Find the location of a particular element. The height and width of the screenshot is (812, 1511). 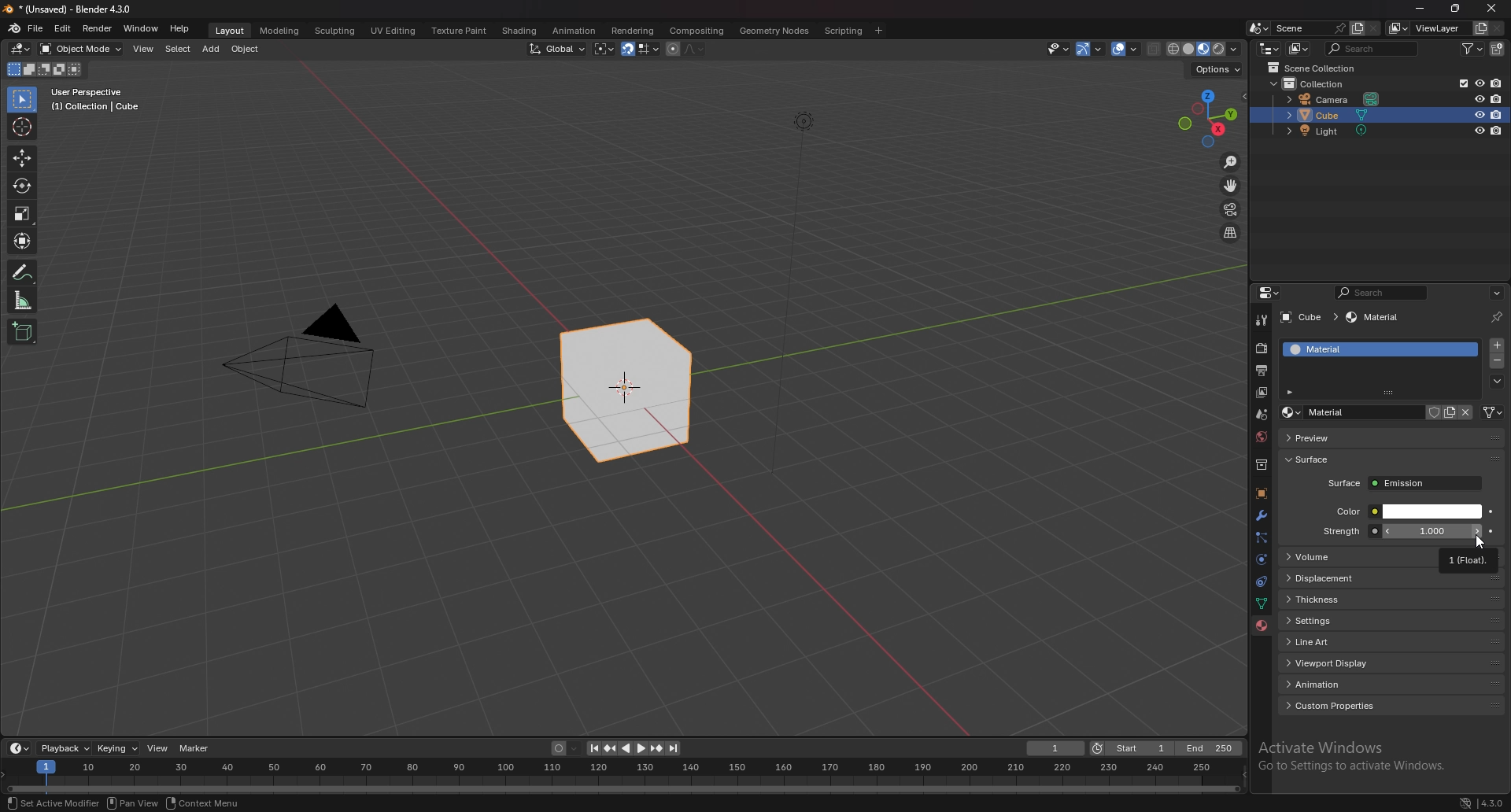

view is located at coordinates (159, 748).